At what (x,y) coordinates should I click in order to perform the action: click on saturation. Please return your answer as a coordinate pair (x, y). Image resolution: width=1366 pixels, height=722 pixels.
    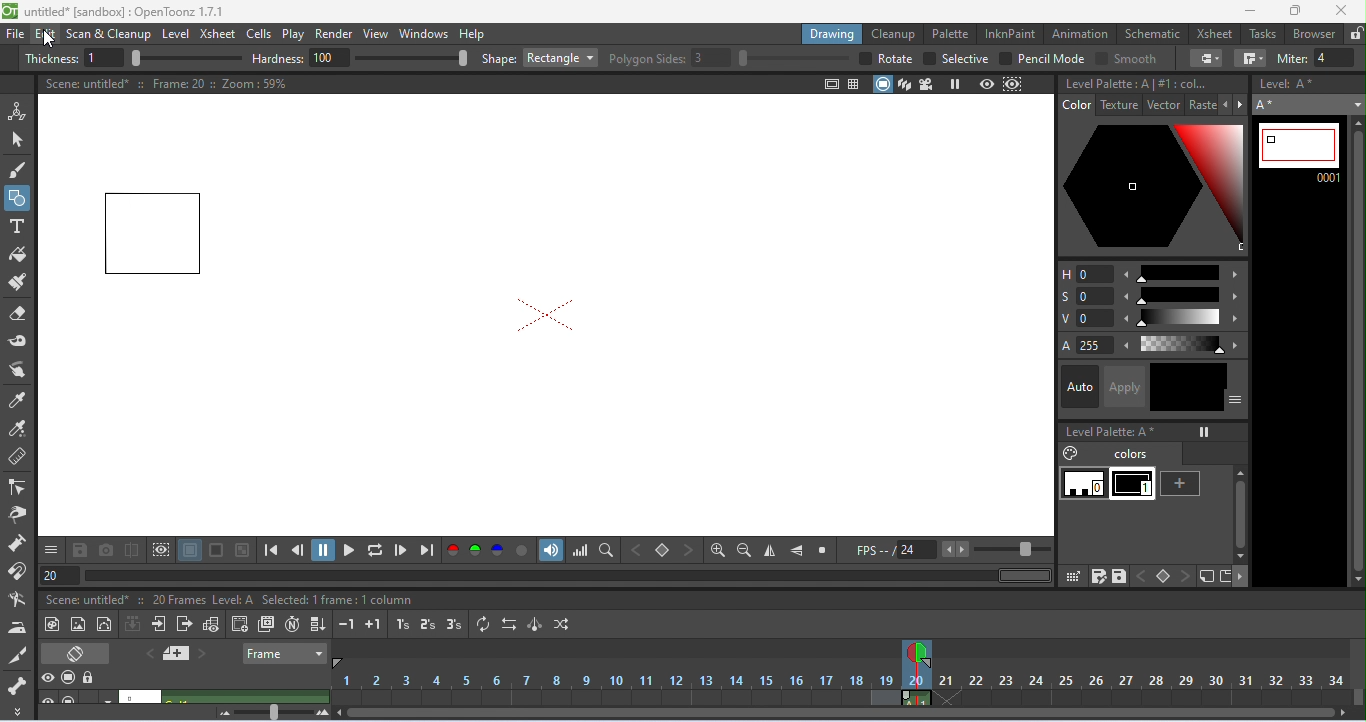
    Looking at the image, I should click on (1153, 297).